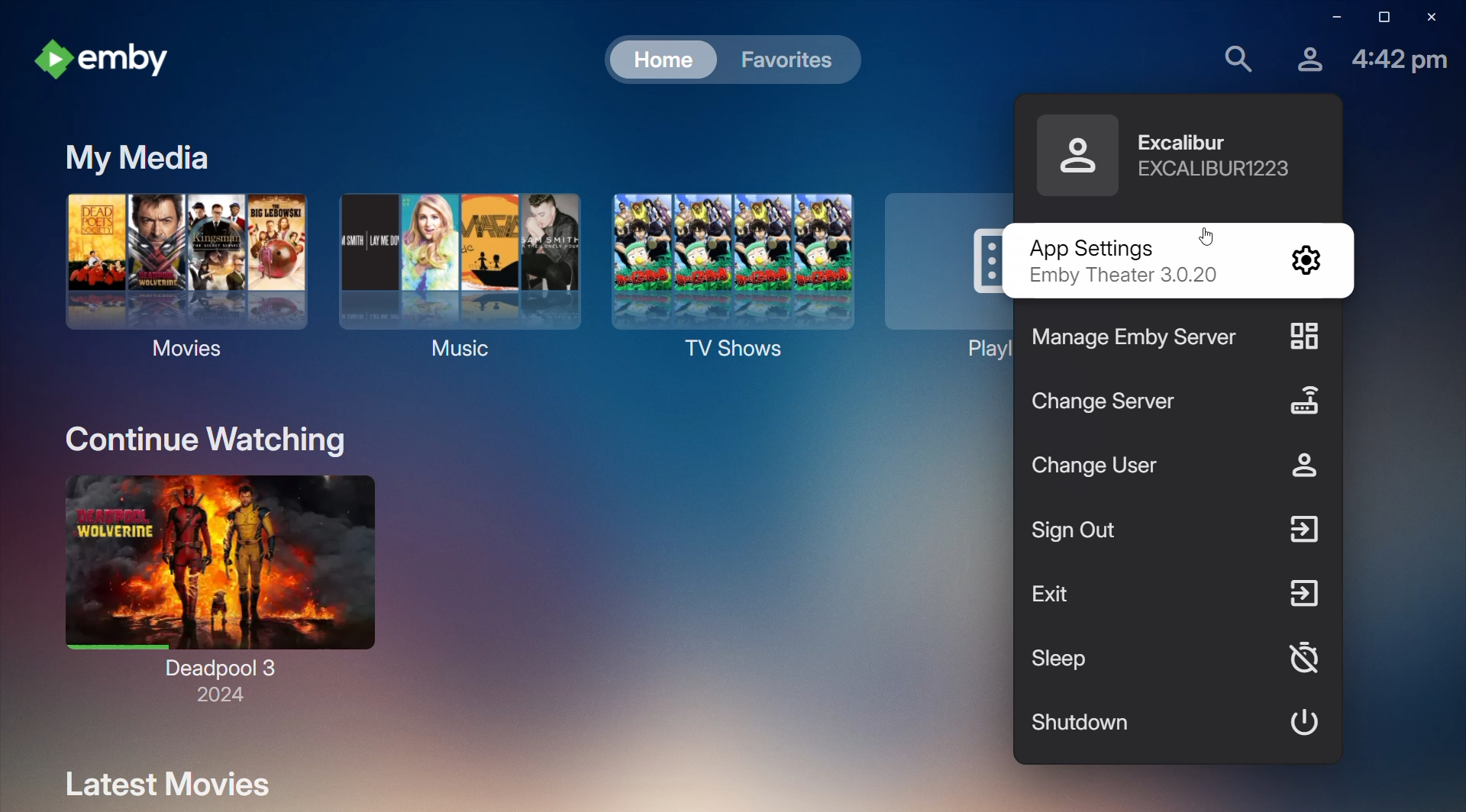  Describe the element at coordinates (1176, 660) in the screenshot. I see `Sleep` at that location.